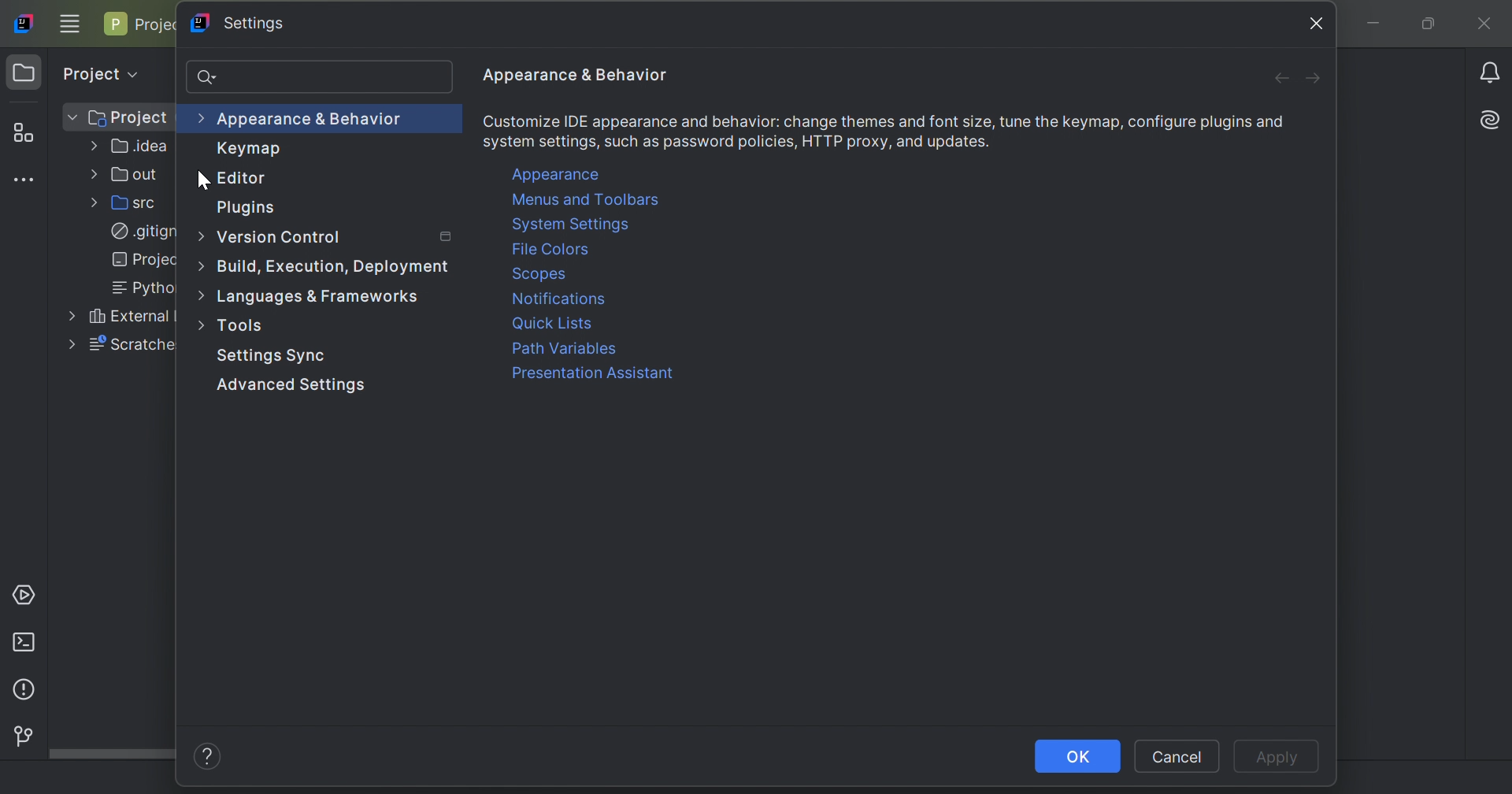 The width and height of the screenshot is (1512, 794). Describe the element at coordinates (138, 288) in the screenshot. I see `Pytho` at that location.